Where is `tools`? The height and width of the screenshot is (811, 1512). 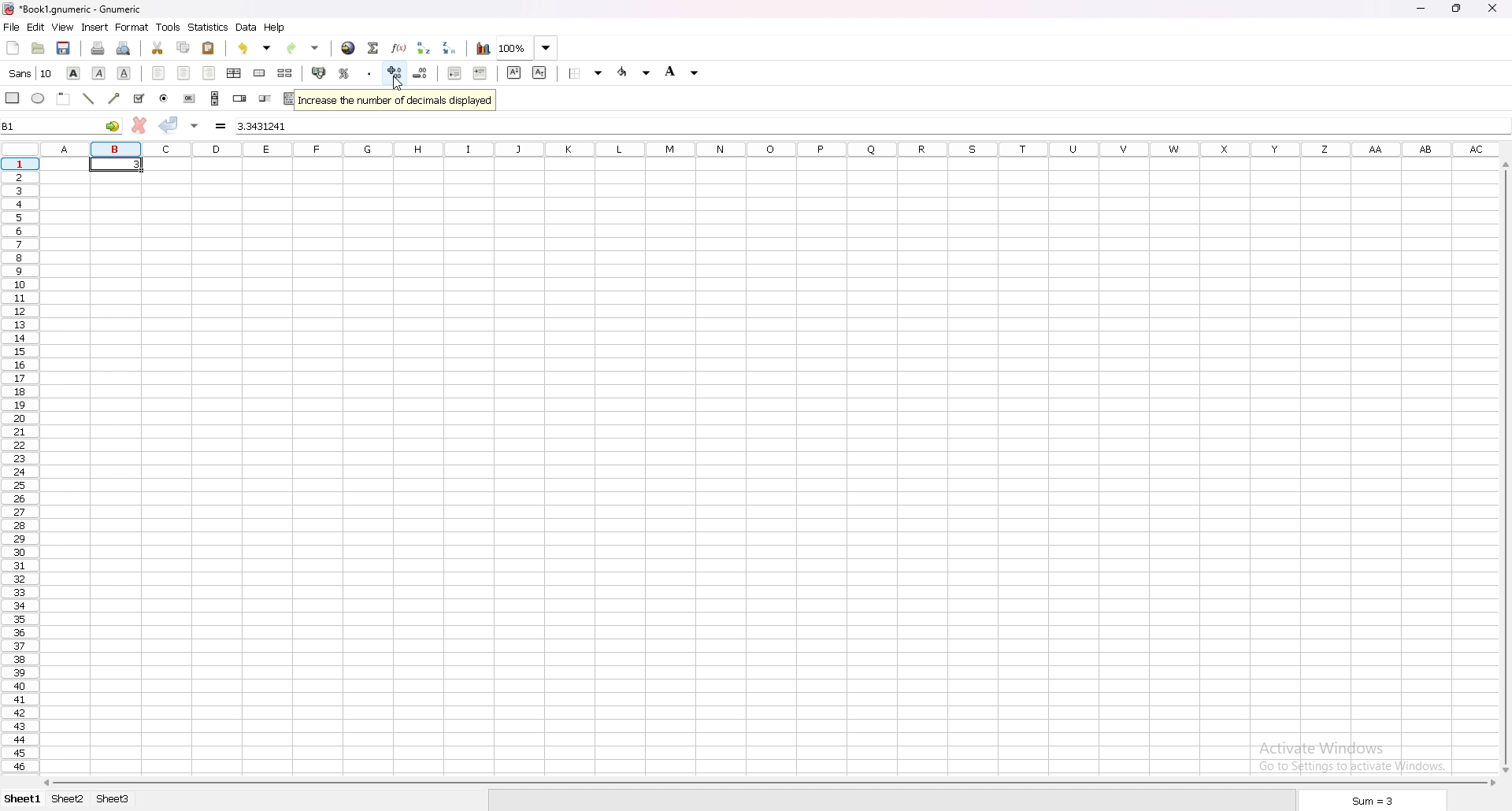 tools is located at coordinates (169, 27).